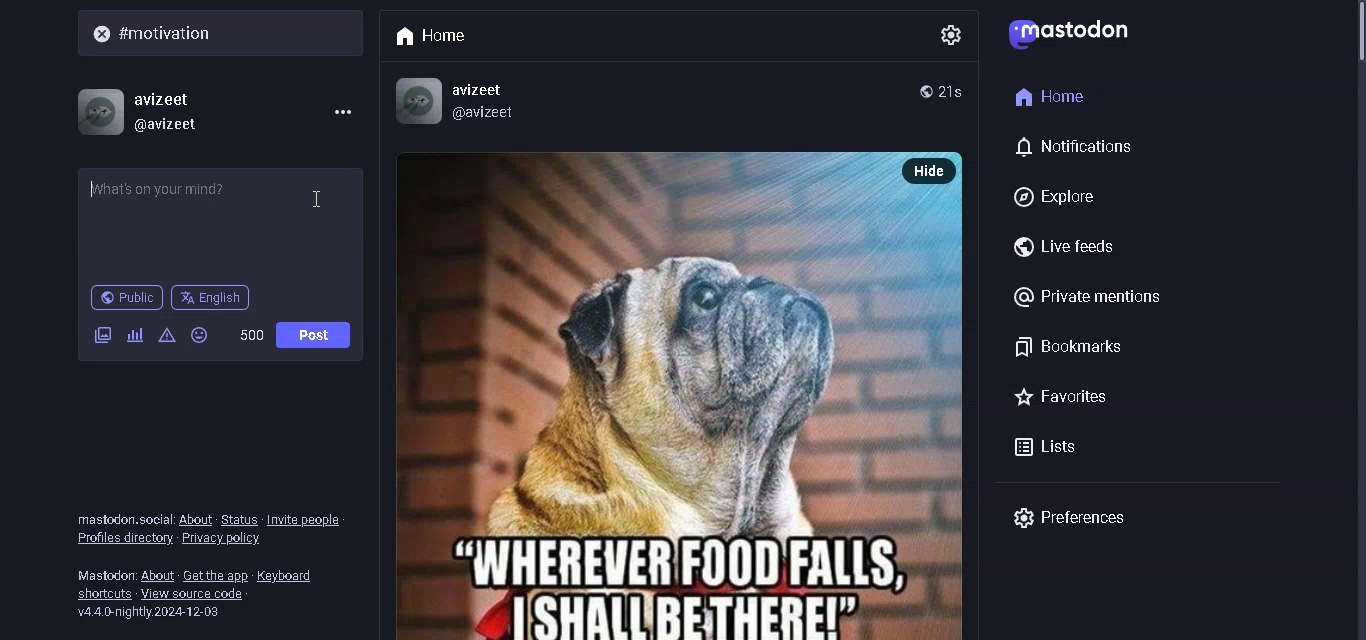 This screenshot has width=1366, height=640. Describe the element at coordinates (195, 519) in the screenshot. I see `about` at that location.